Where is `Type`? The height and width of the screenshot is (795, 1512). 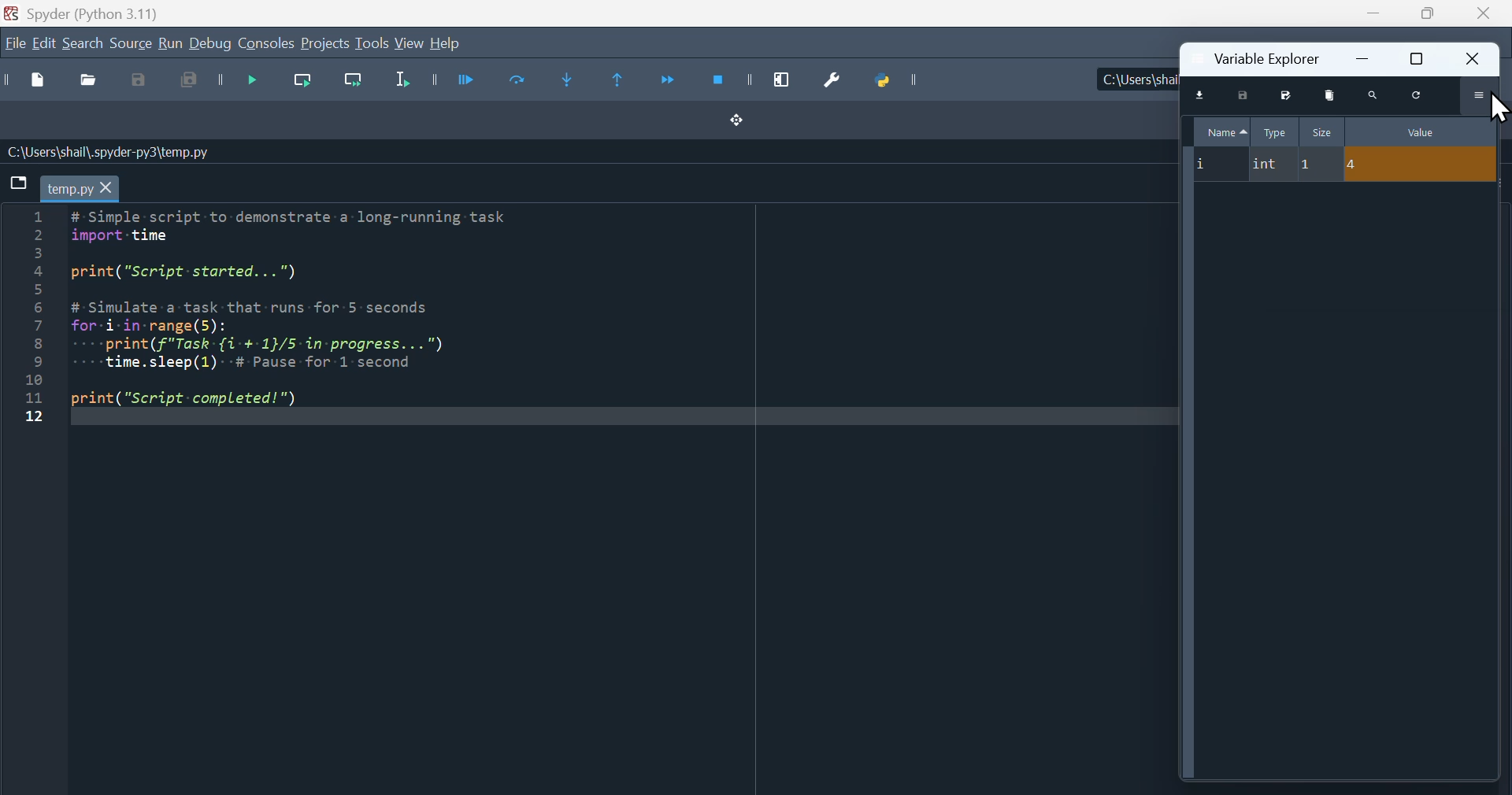
Type is located at coordinates (1277, 132).